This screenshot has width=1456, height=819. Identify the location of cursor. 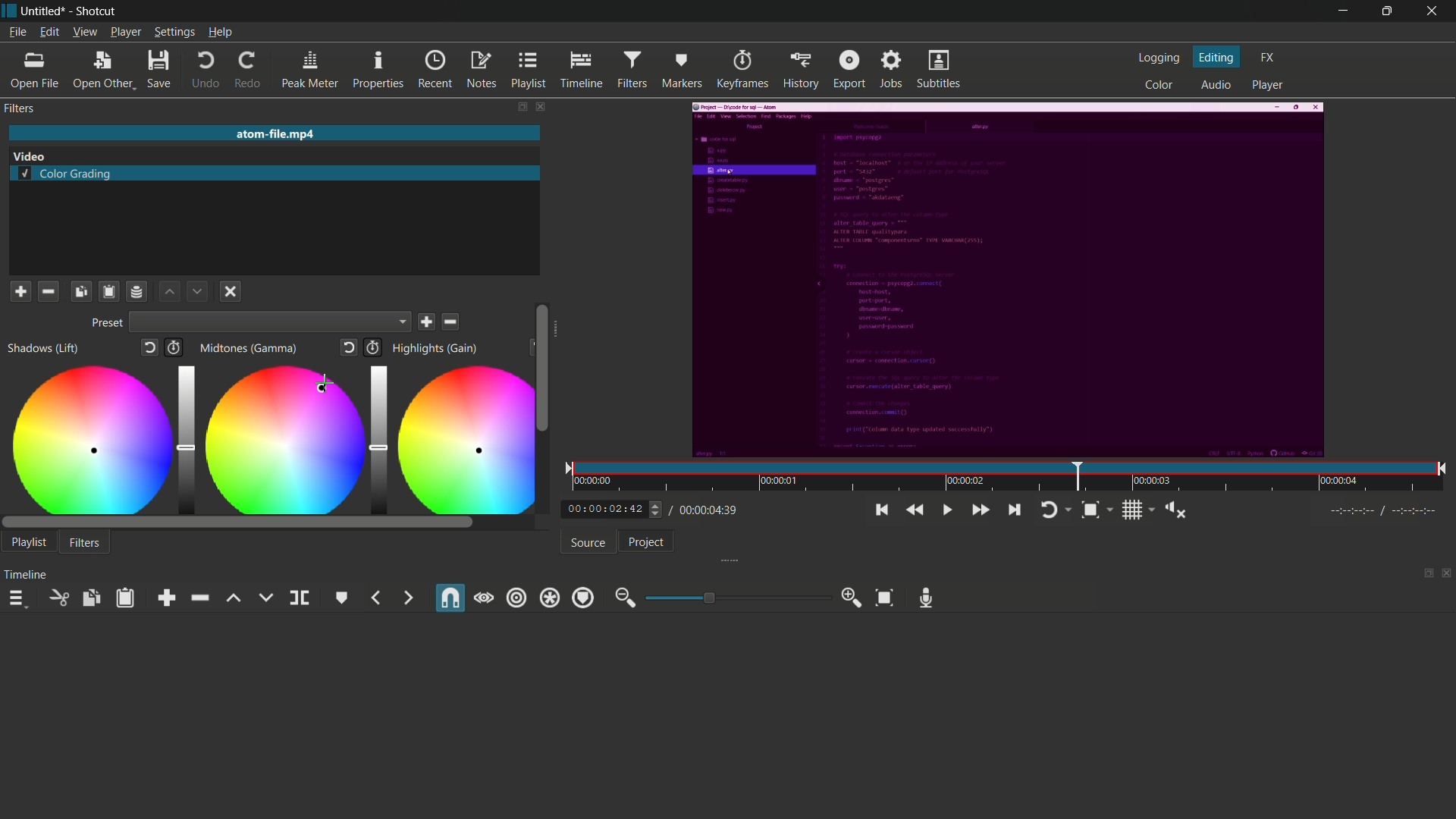
(328, 384).